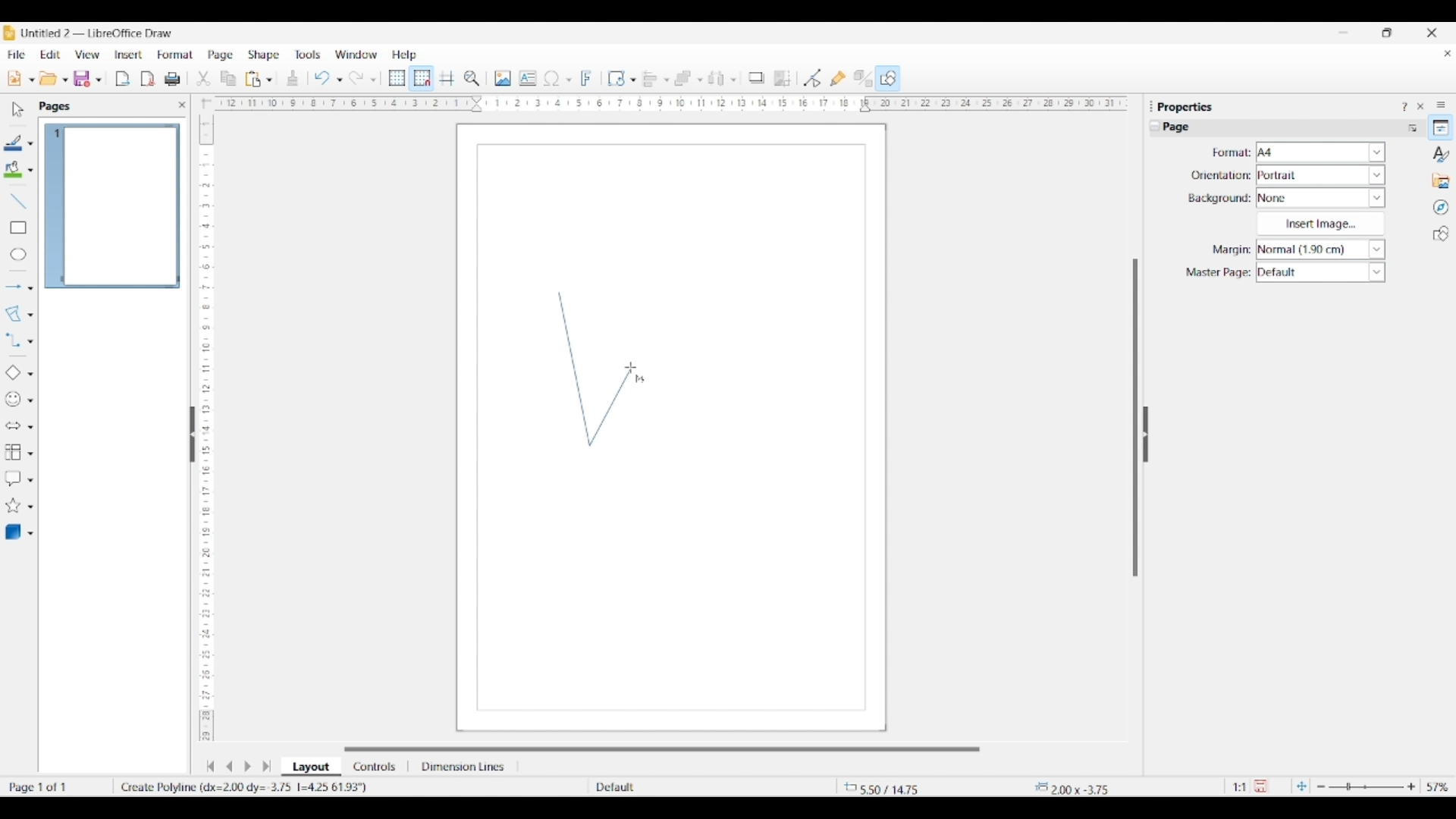  What do you see at coordinates (14, 78) in the screenshot?
I see `Selected new document` at bounding box center [14, 78].